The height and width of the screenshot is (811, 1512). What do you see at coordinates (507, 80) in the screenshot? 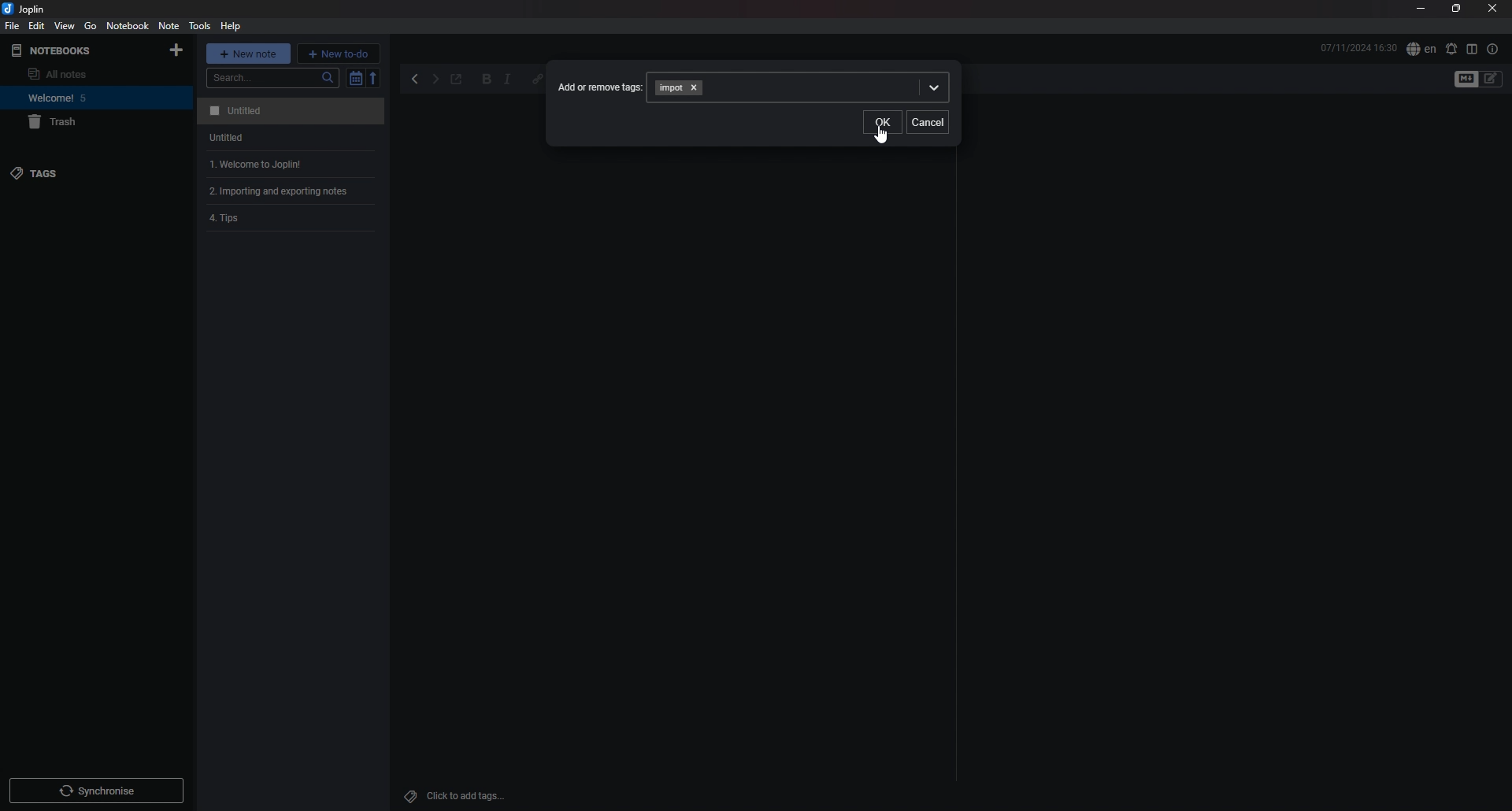
I see `italic` at bounding box center [507, 80].